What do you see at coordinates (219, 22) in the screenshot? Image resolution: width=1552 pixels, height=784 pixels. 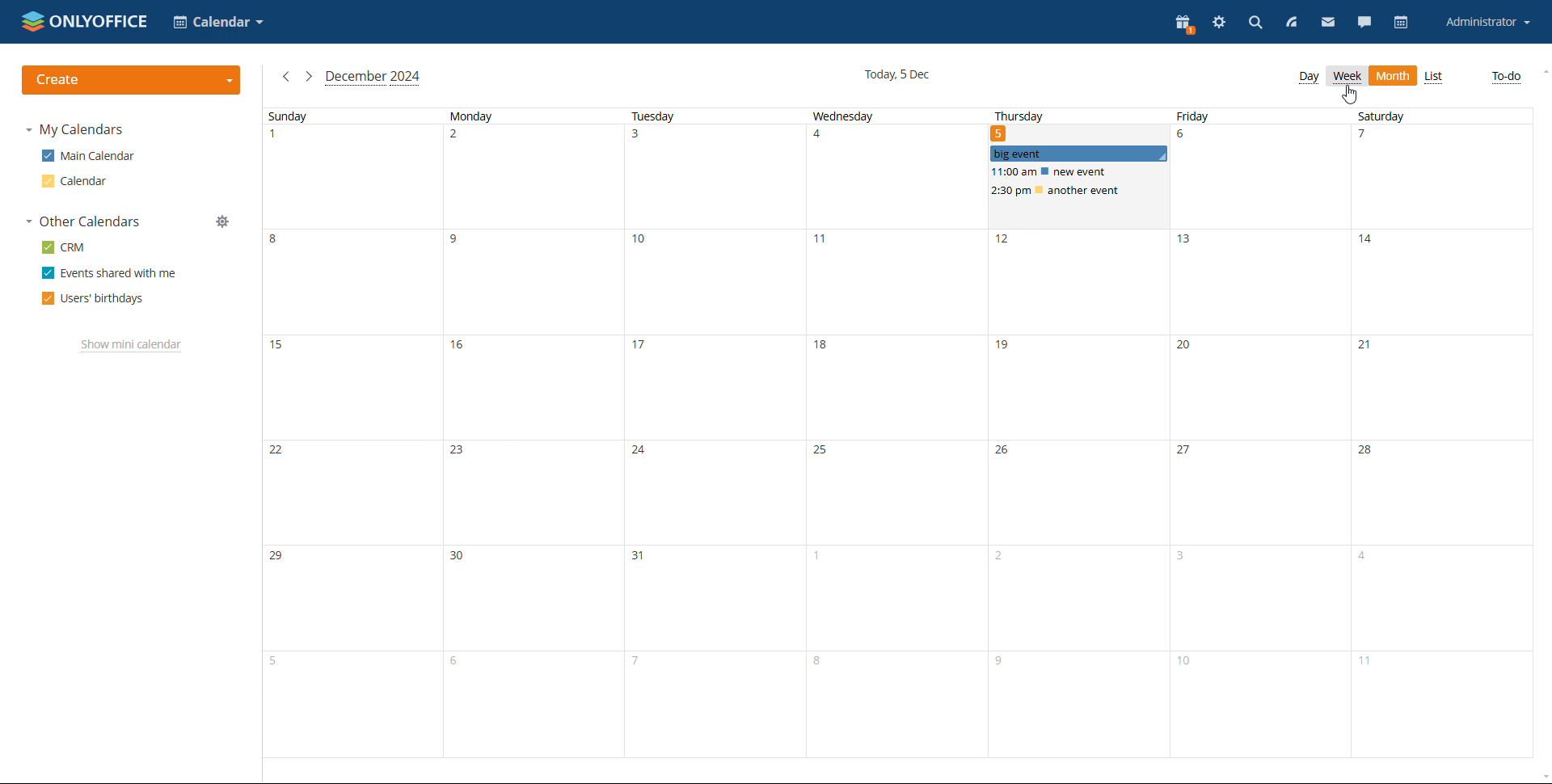 I see `select calendar` at bounding box center [219, 22].